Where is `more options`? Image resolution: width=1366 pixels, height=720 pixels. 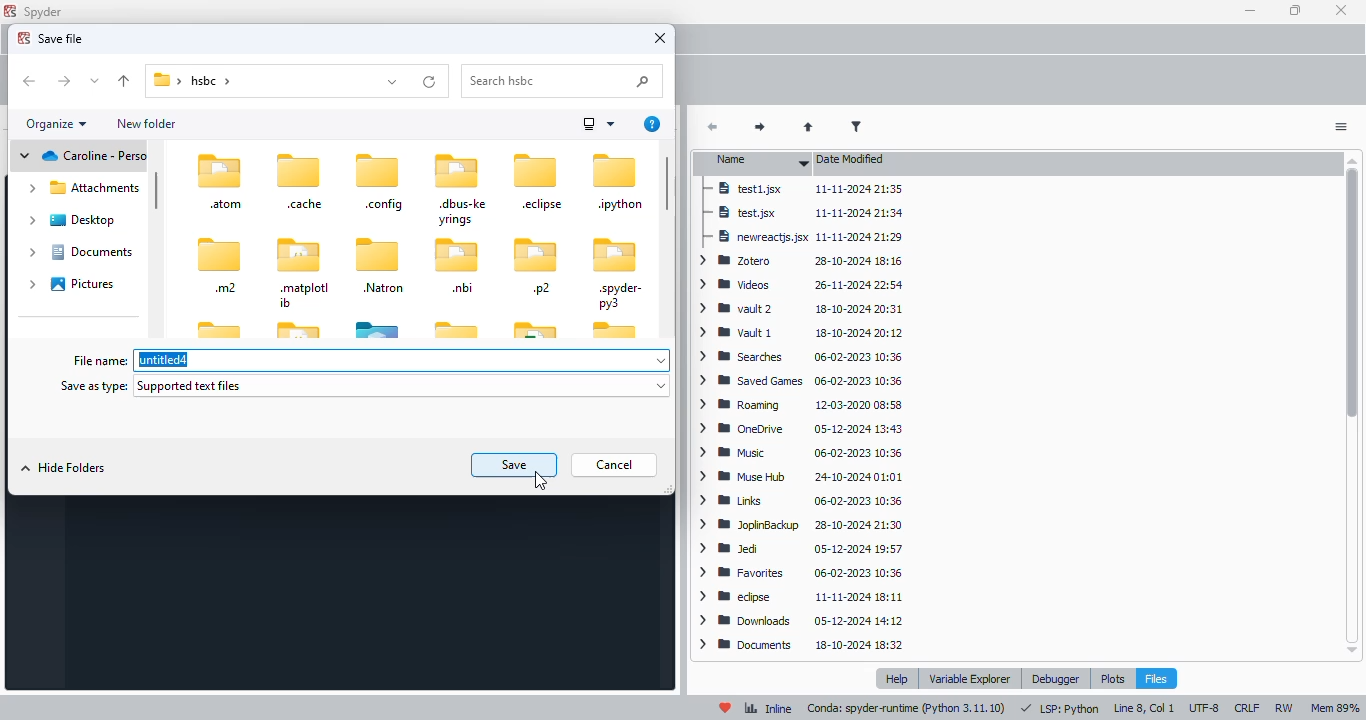 more options is located at coordinates (598, 124).